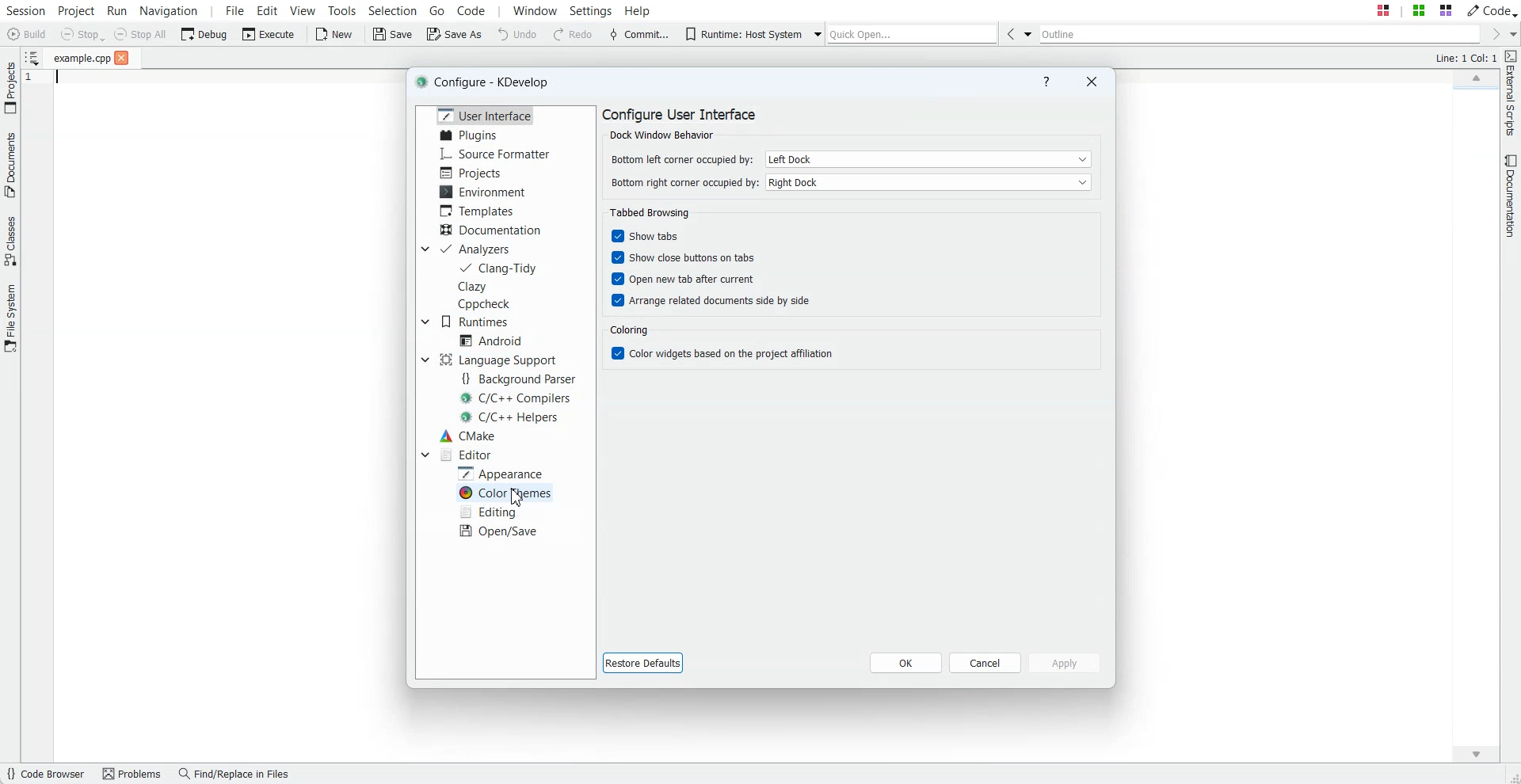  What do you see at coordinates (1492, 10) in the screenshot?
I see `Code` at bounding box center [1492, 10].